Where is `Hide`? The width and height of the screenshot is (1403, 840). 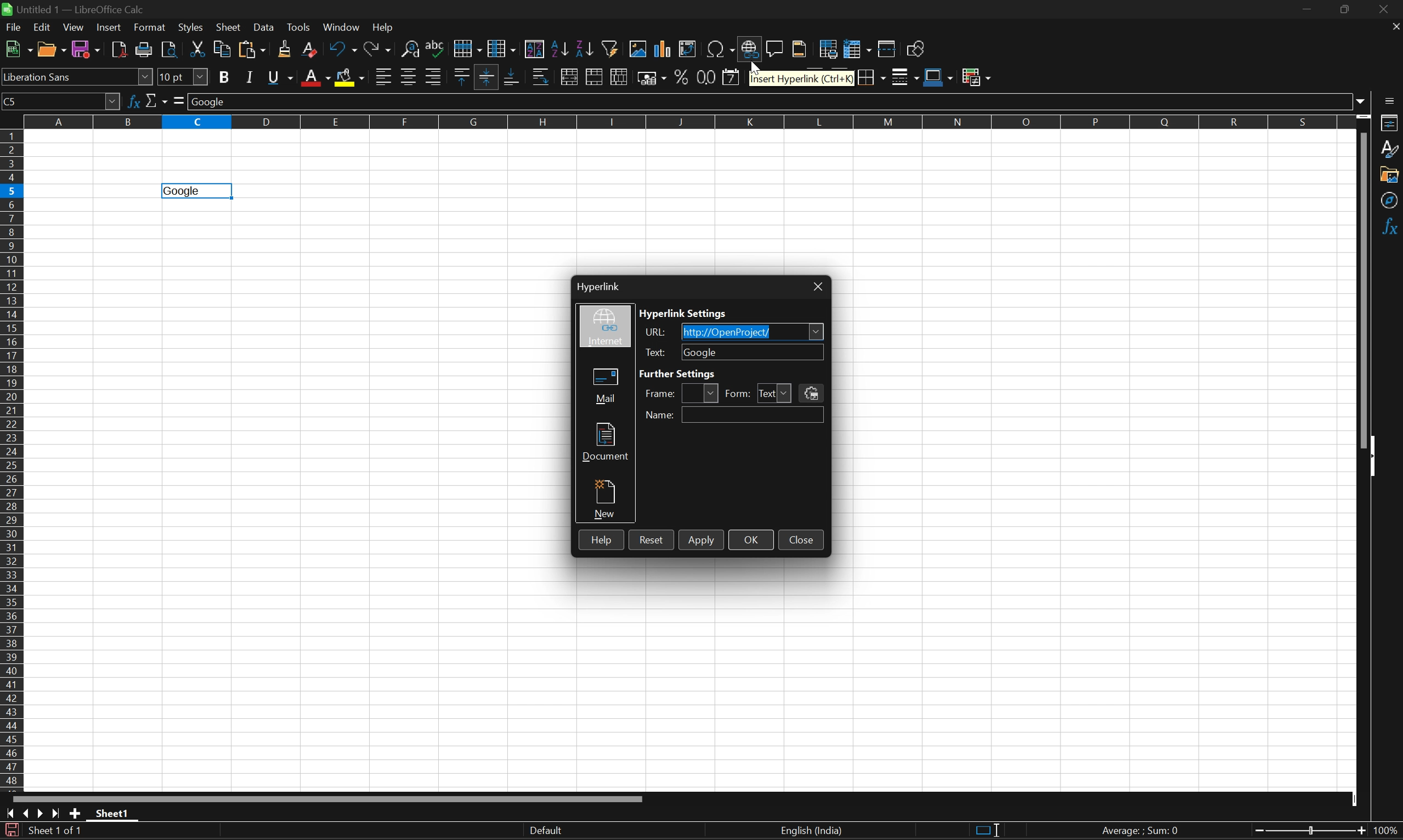 Hide is located at coordinates (1376, 457).